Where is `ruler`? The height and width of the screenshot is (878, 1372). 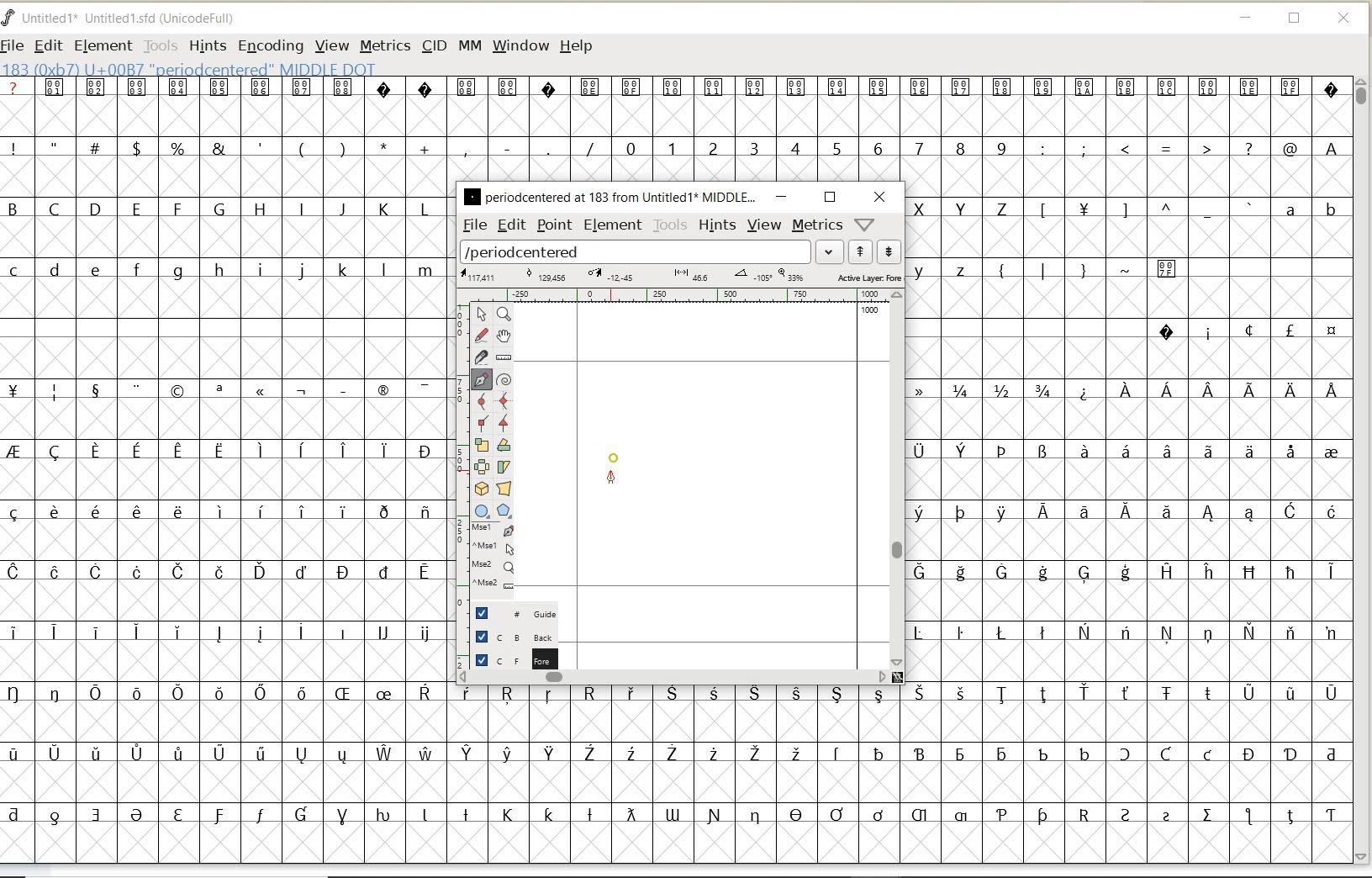
ruler is located at coordinates (683, 297).